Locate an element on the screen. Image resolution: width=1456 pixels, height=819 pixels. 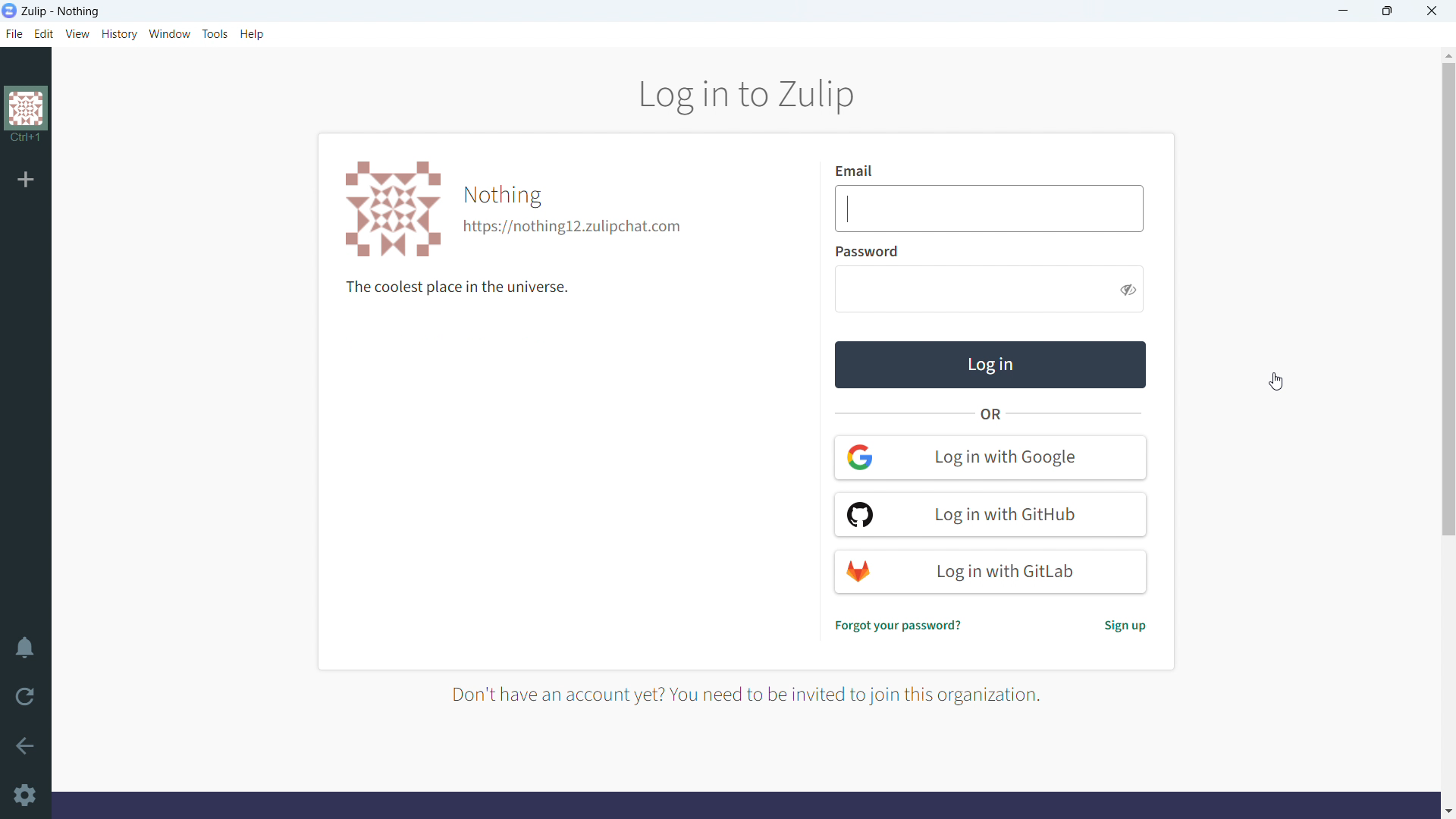
organization is located at coordinates (24, 118).